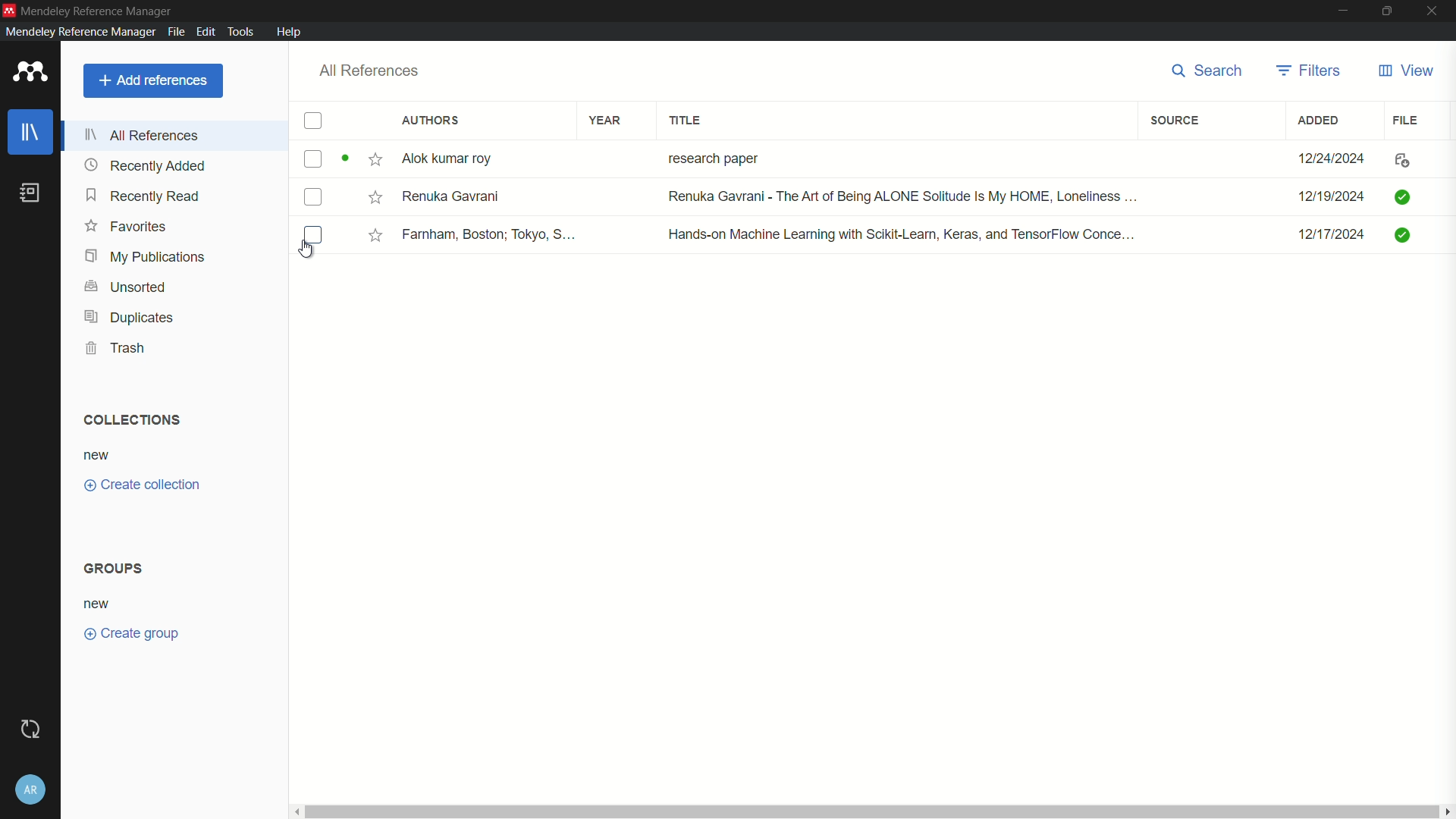 Image resolution: width=1456 pixels, height=819 pixels. I want to click on source, so click(1178, 120).